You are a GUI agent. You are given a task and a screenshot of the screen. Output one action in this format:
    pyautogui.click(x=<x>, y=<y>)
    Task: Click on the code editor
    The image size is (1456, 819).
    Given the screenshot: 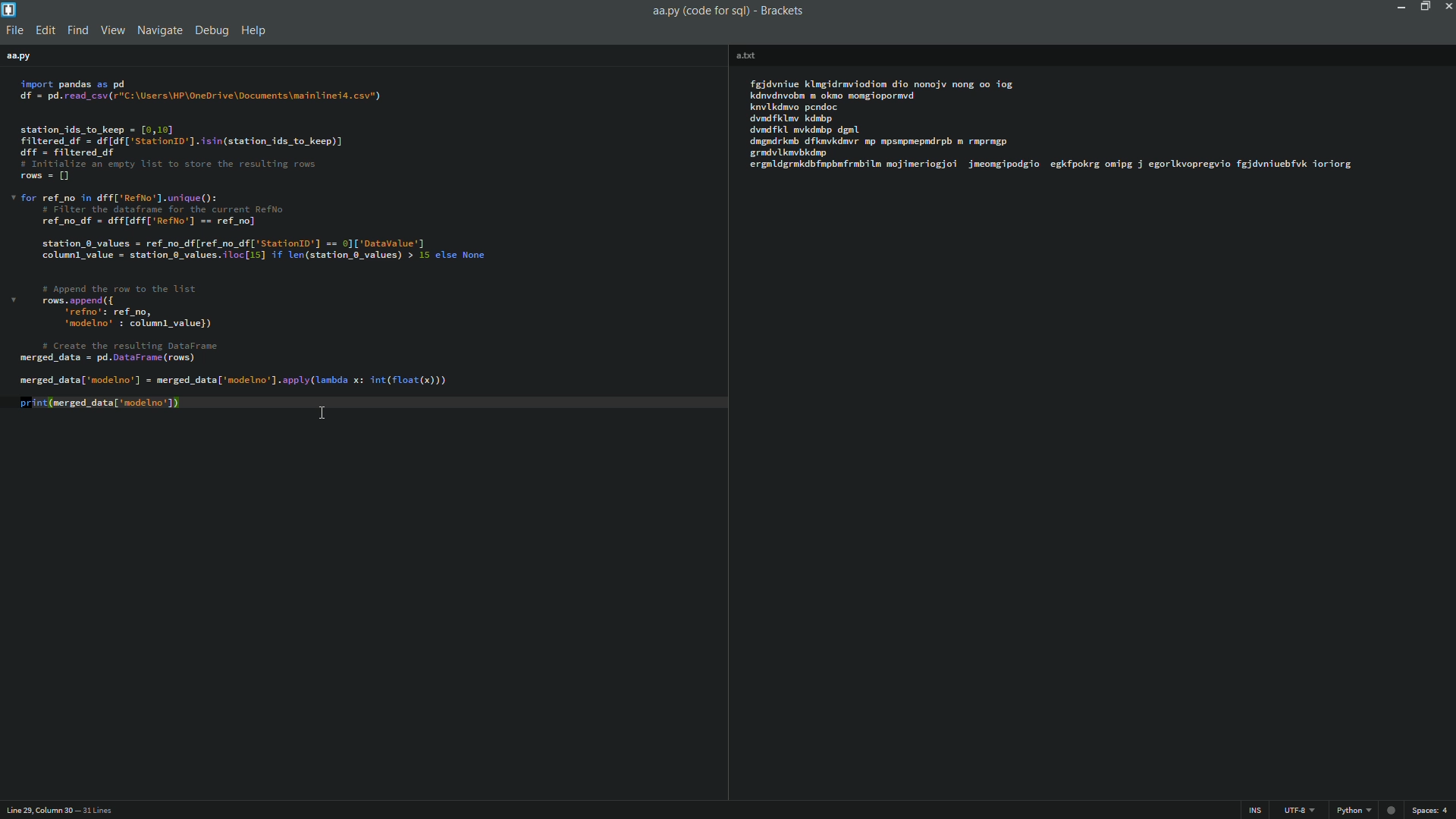 What is the action you would take?
    pyautogui.click(x=1059, y=126)
    